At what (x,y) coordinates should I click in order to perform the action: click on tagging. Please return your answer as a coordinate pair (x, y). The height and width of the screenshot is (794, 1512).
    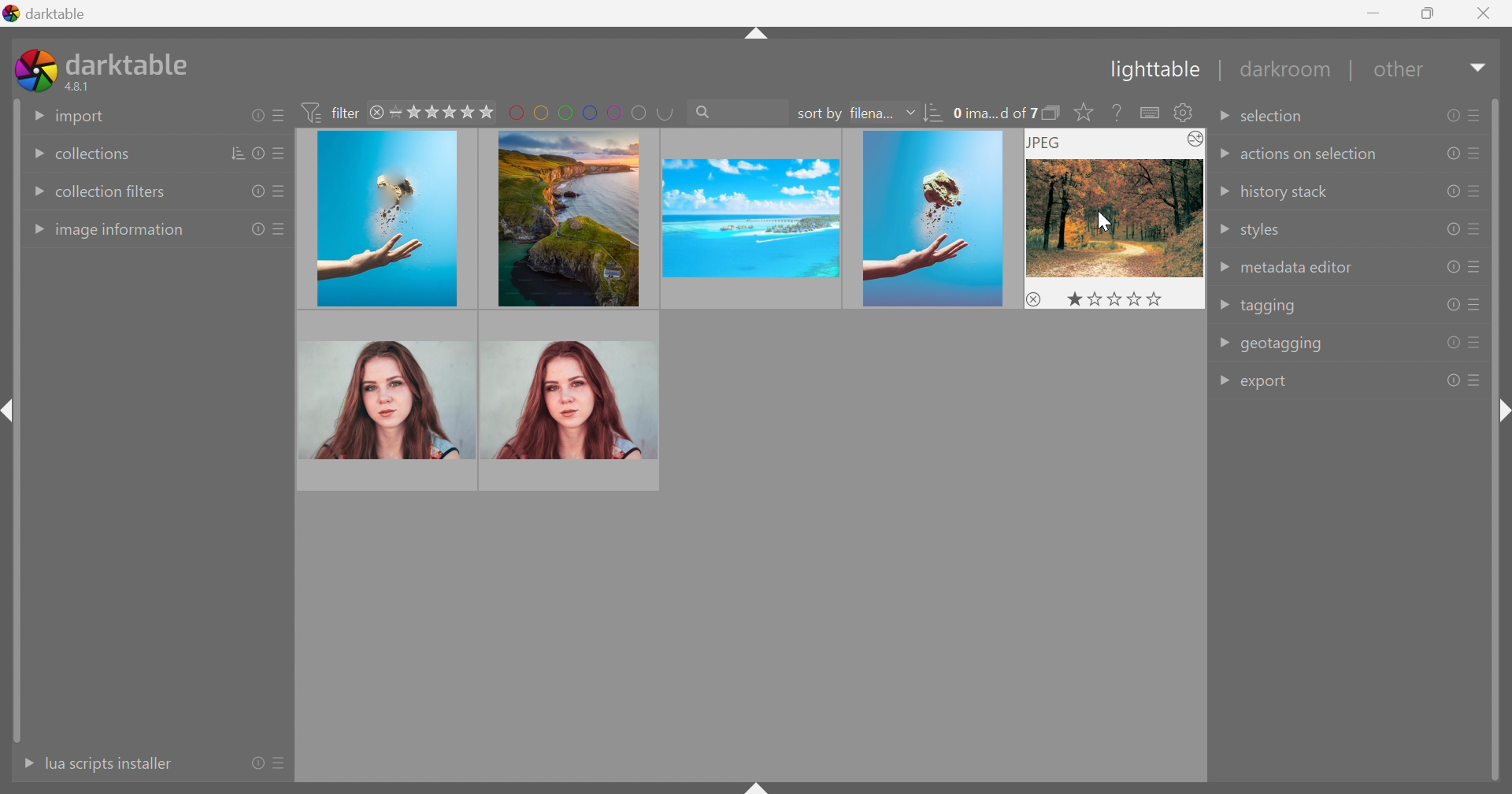
    Looking at the image, I should click on (1275, 309).